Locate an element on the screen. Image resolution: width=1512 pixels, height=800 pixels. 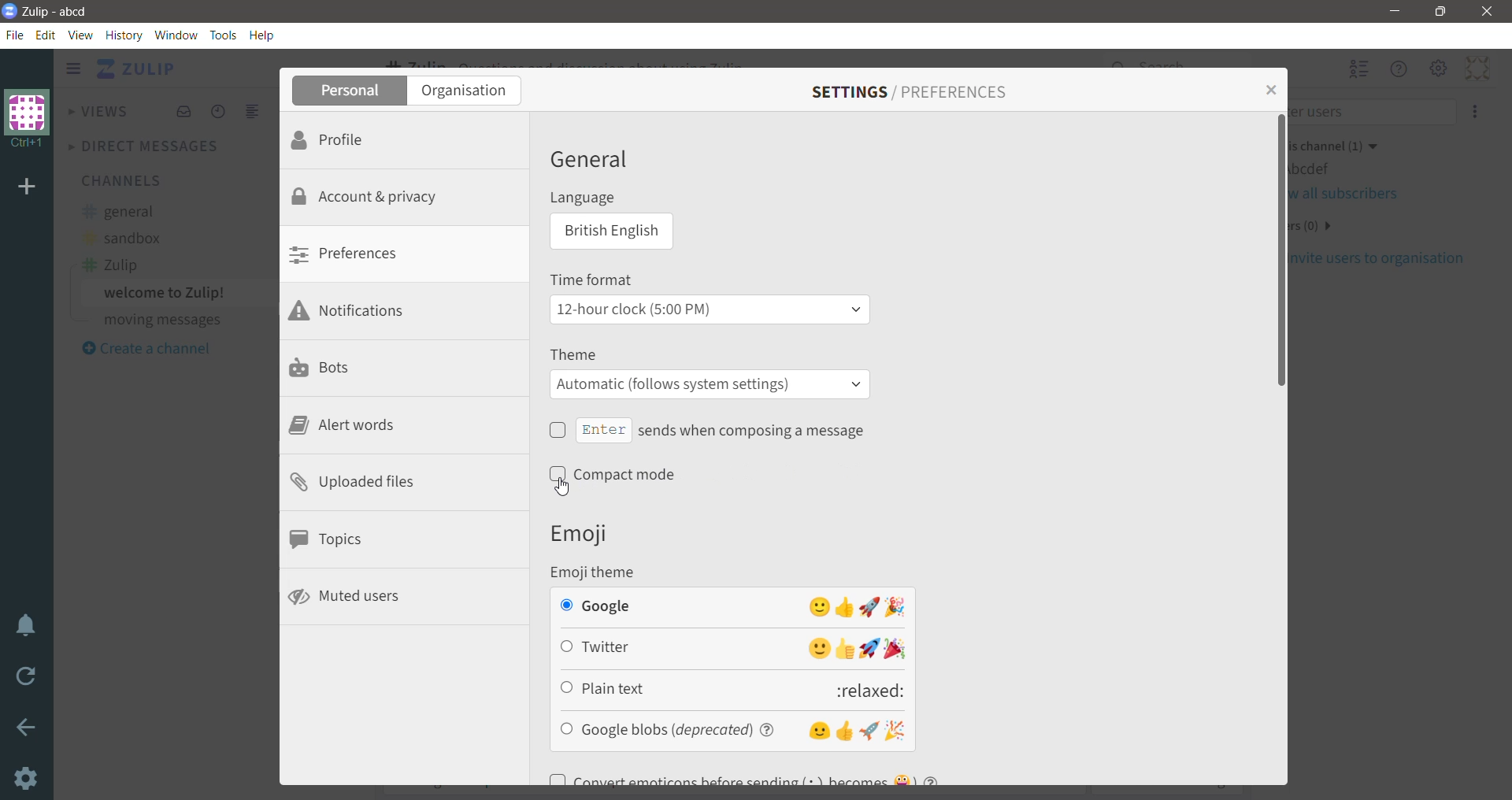
Personal is located at coordinates (349, 91).